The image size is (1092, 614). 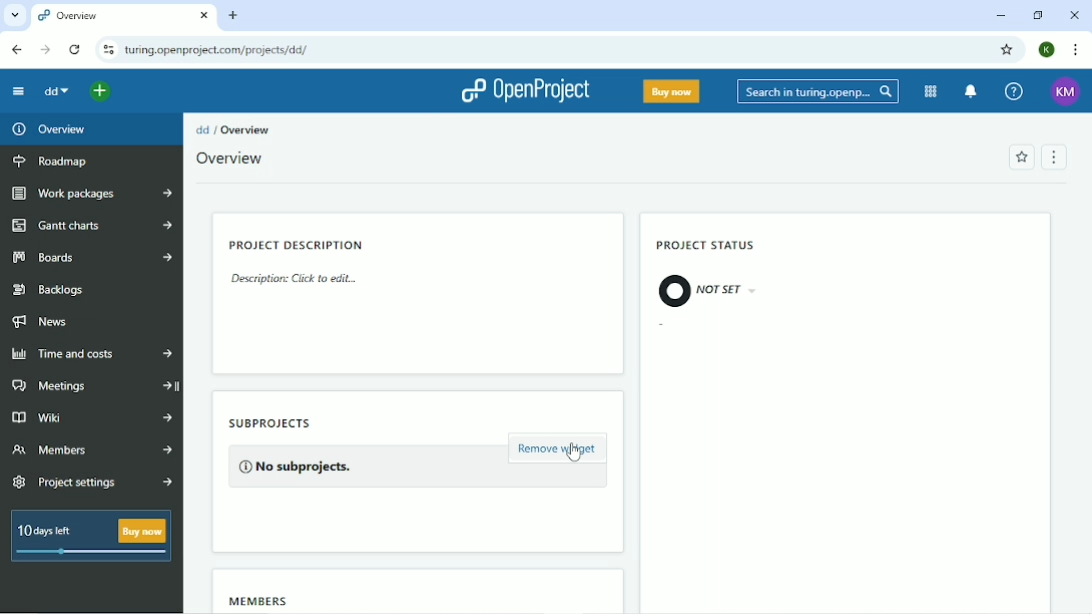 I want to click on Project settings, so click(x=96, y=483).